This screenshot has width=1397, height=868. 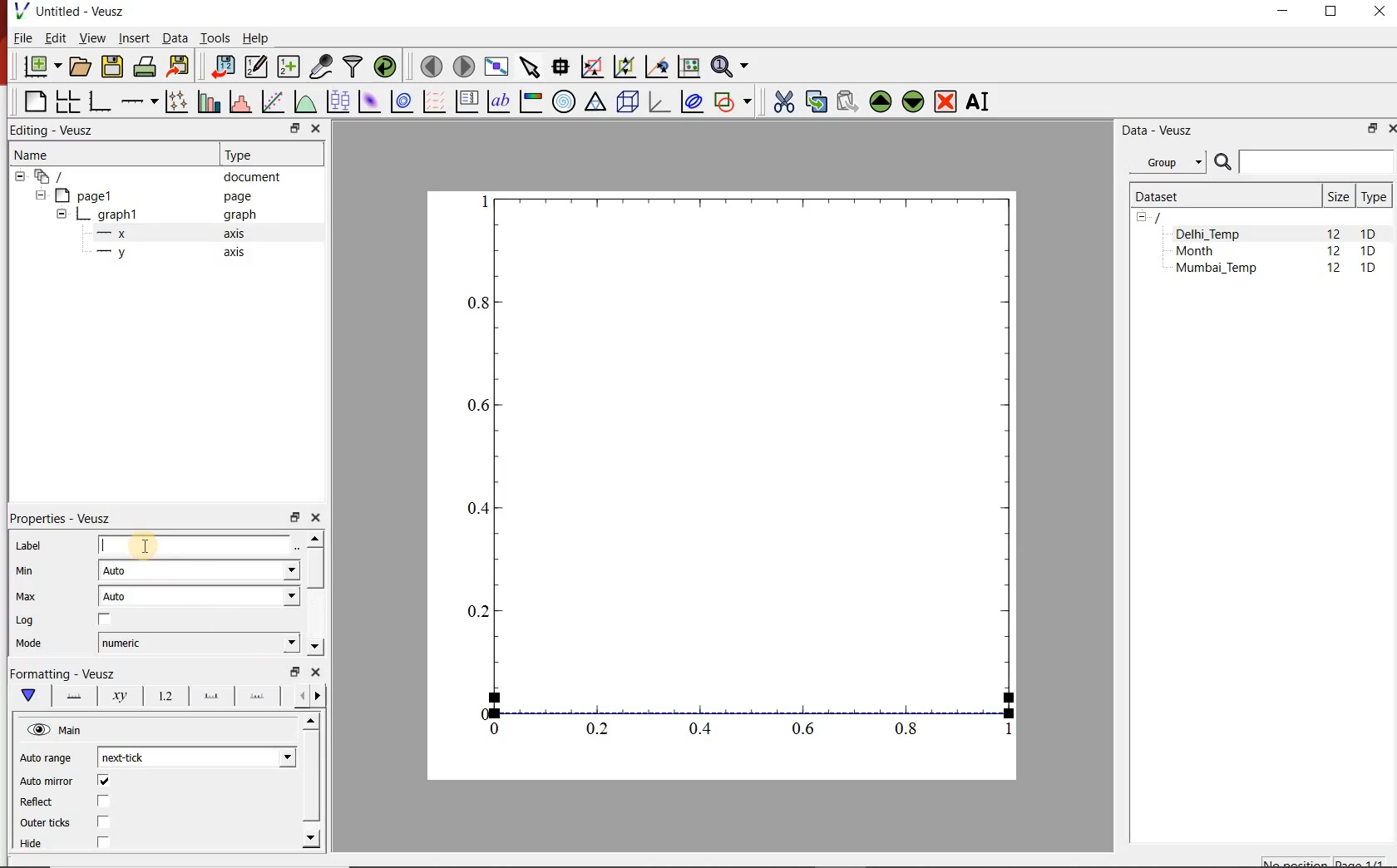 What do you see at coordinates (466, 102) in the screenshot?
I see `plot key` at bounding box center [466, 102].